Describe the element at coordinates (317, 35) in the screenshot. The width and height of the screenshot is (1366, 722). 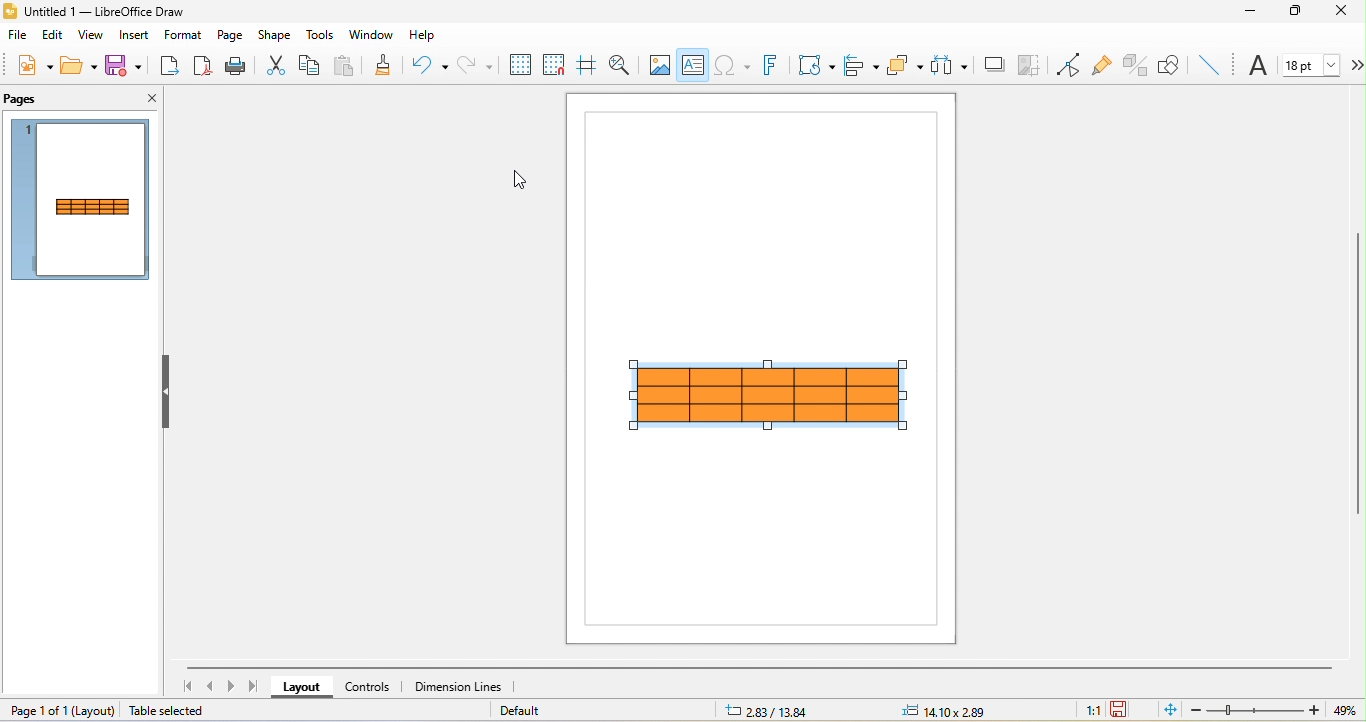
I see `tools` at that location.